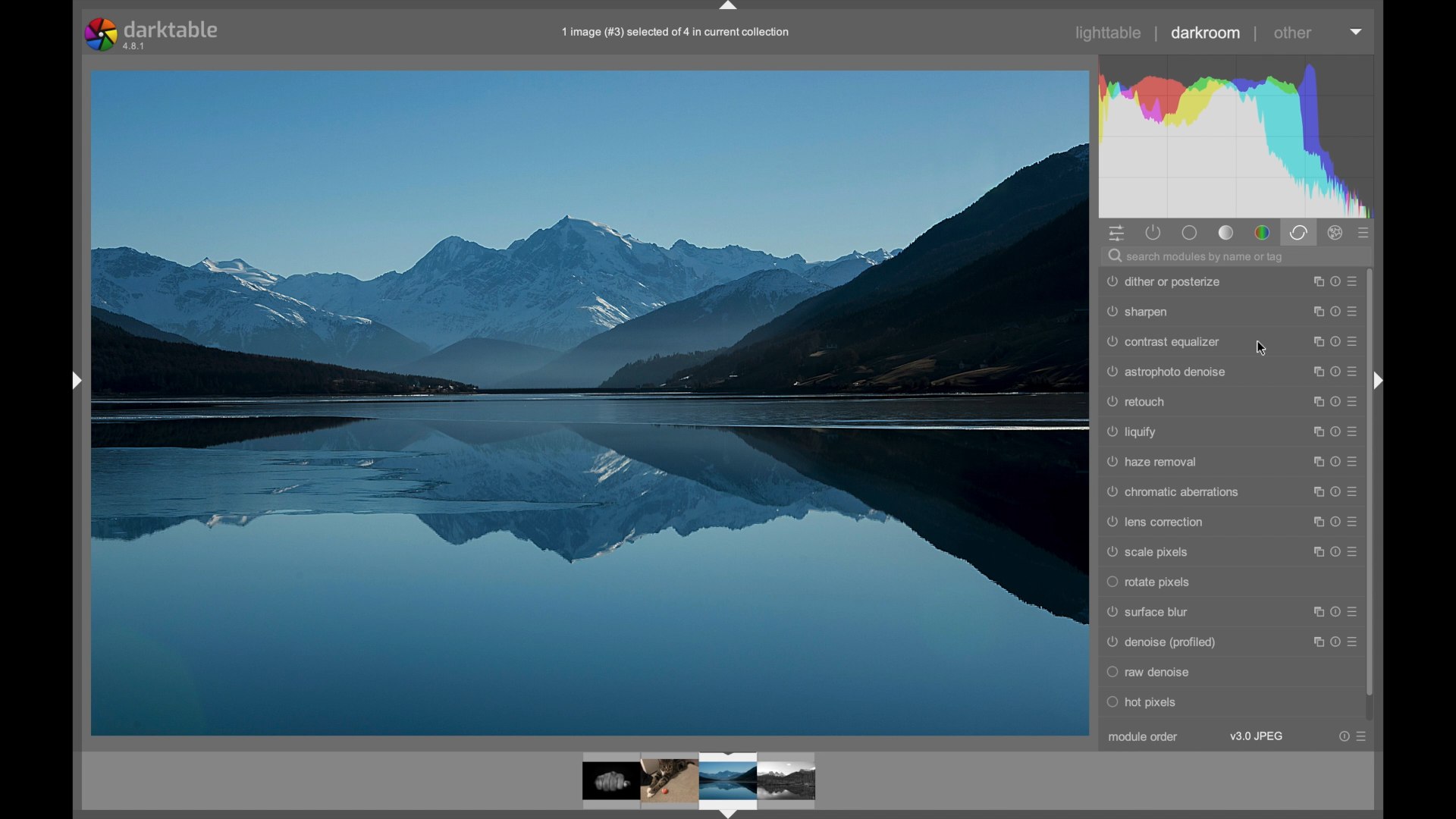 The height and width of the screenshot is (819, 1456). I want to click on dropdown, so click(1357, 32).